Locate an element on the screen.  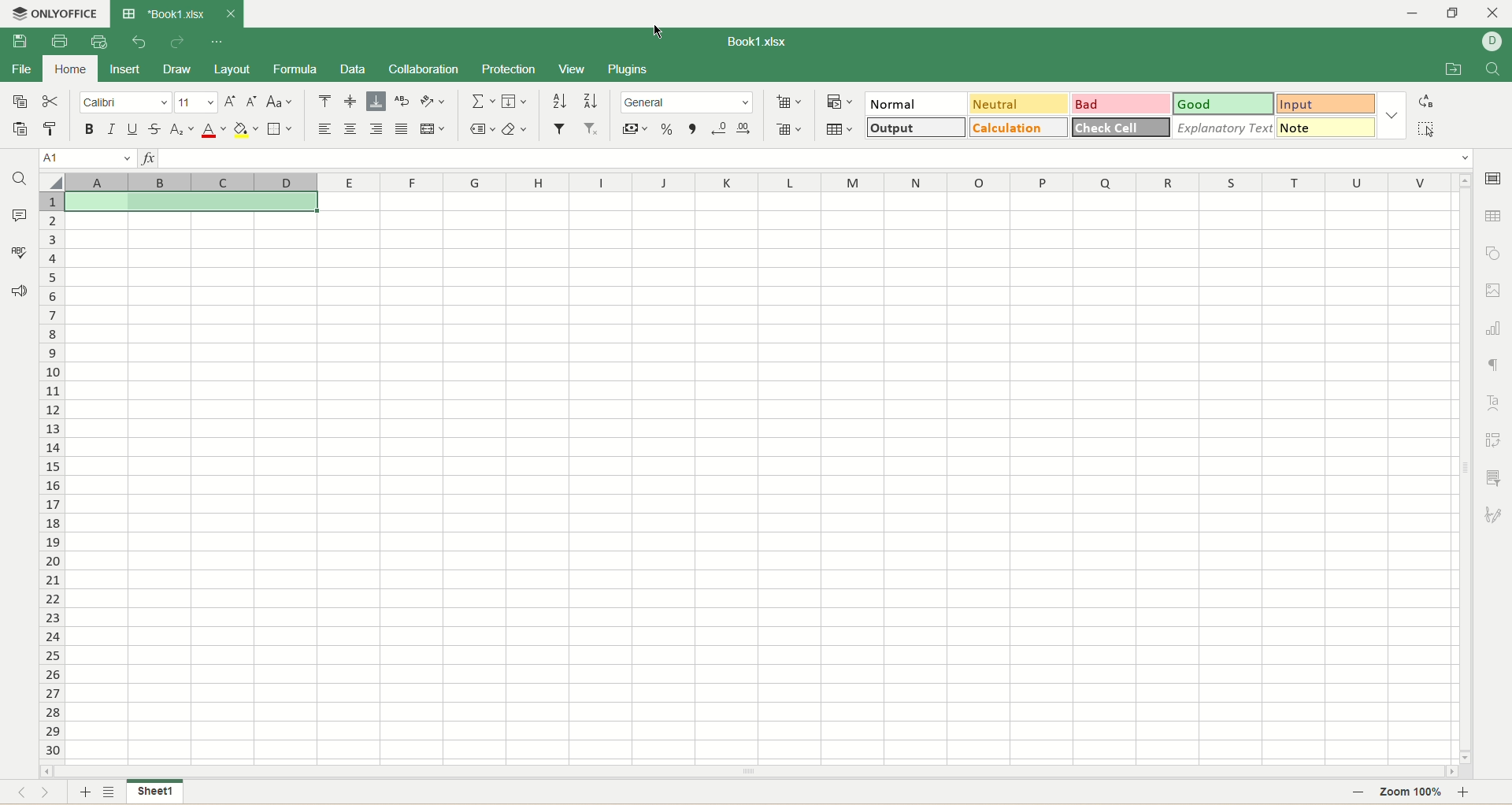
decrease size is located at coordinates (254, 102).